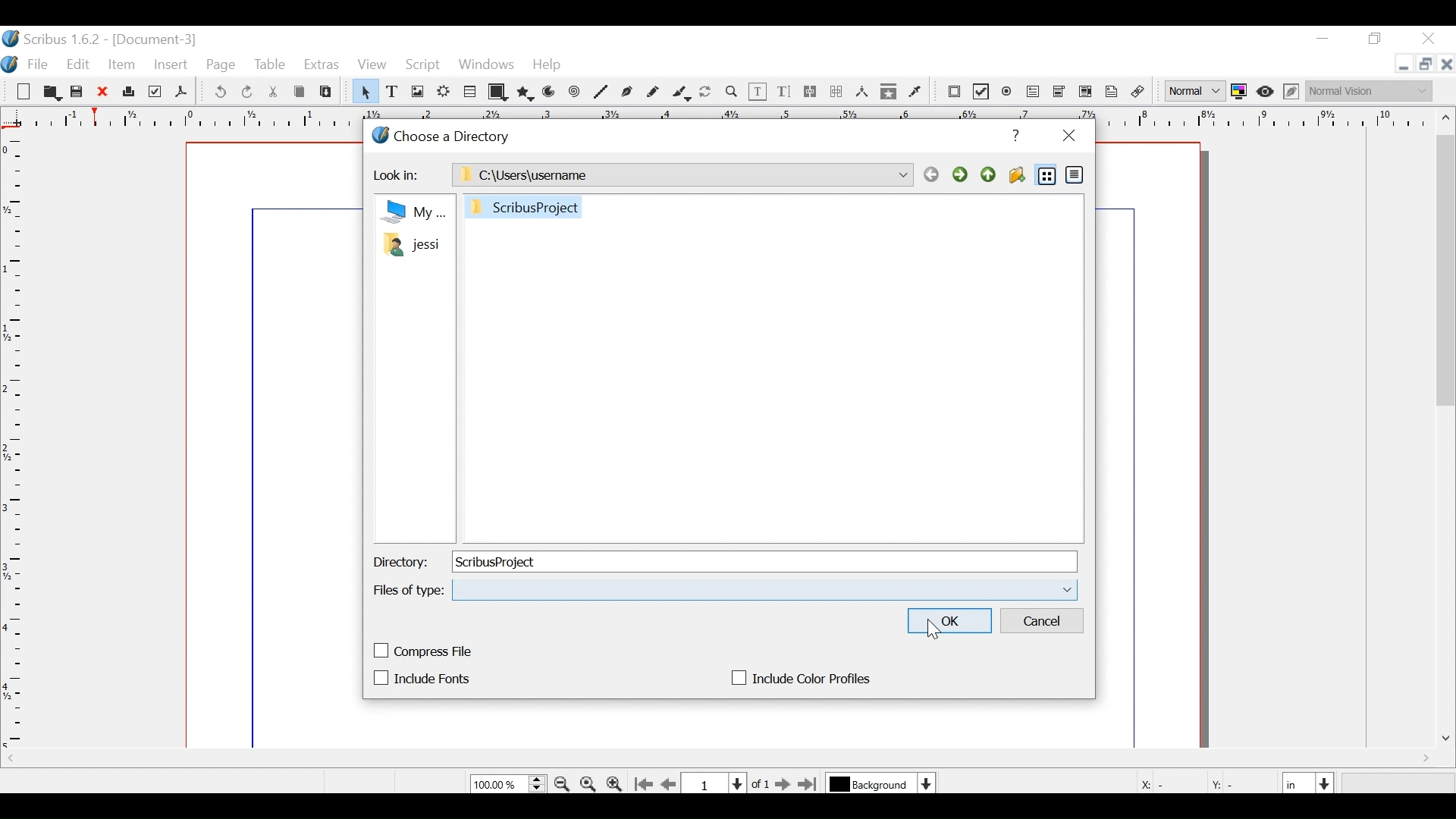  Describe the element at coordinates (1017, 174) in the screenshot. I see `Create Folder` at that location.